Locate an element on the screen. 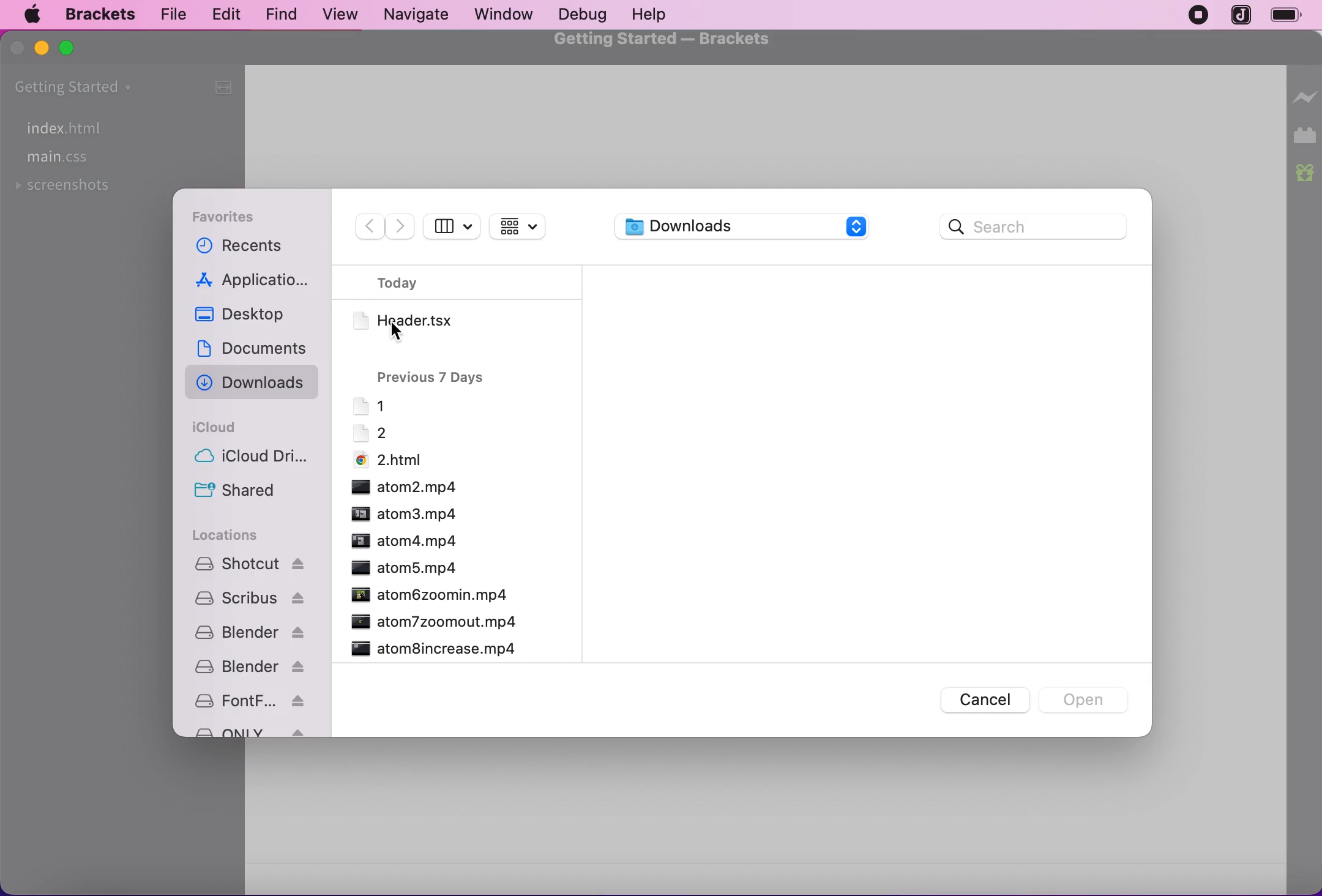  1 is located at coordinates (369, 405).